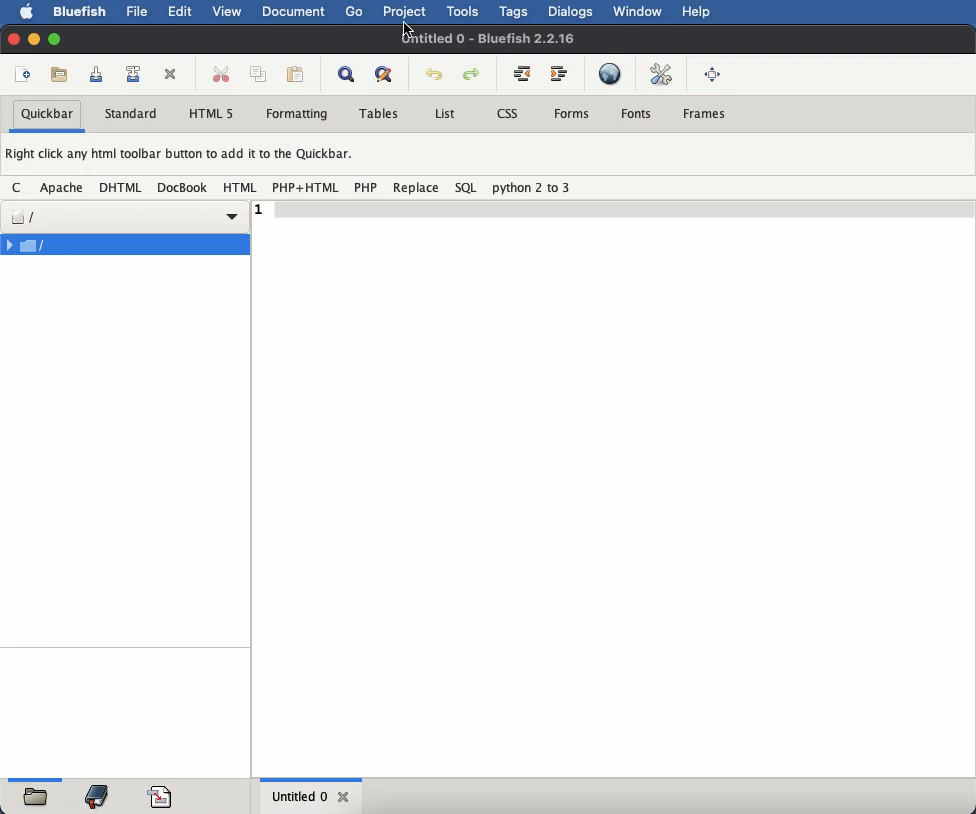  I want to click on copy, so click(261, 75).